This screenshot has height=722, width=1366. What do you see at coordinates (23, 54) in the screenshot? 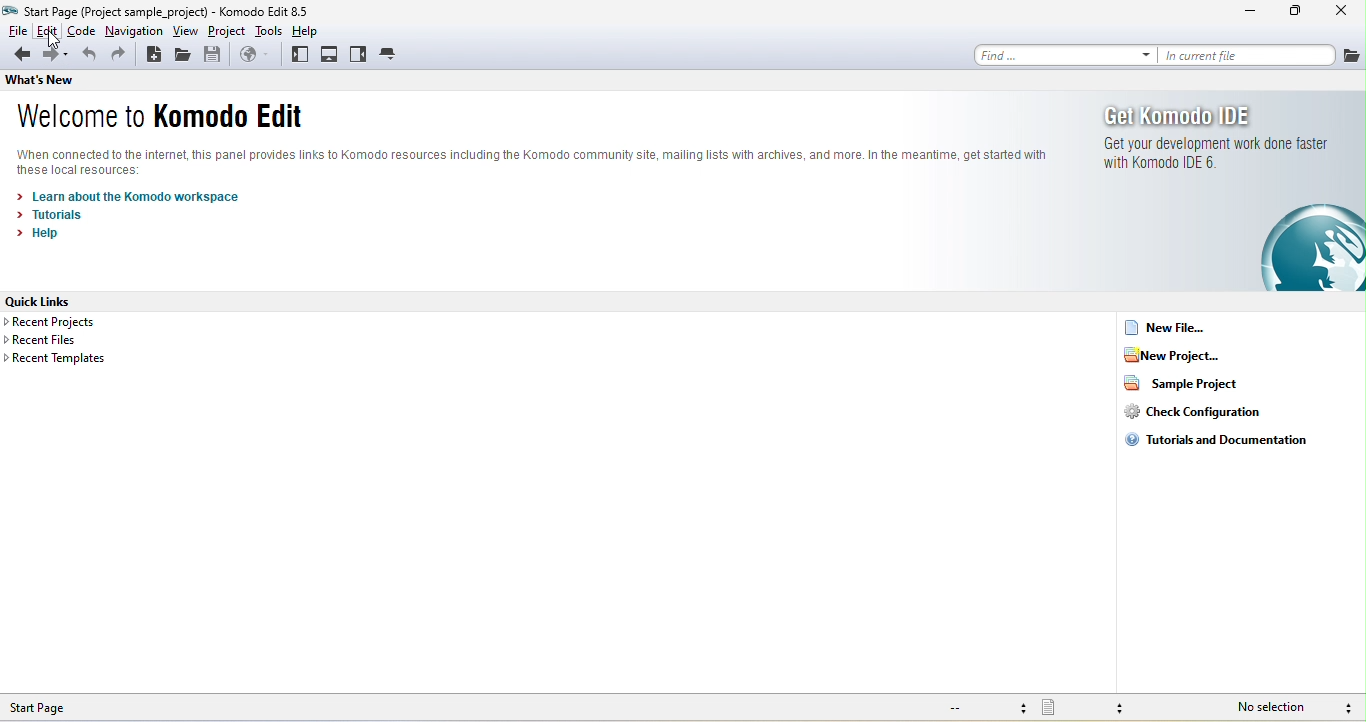
I see `back` at bounding box center [23, 54].